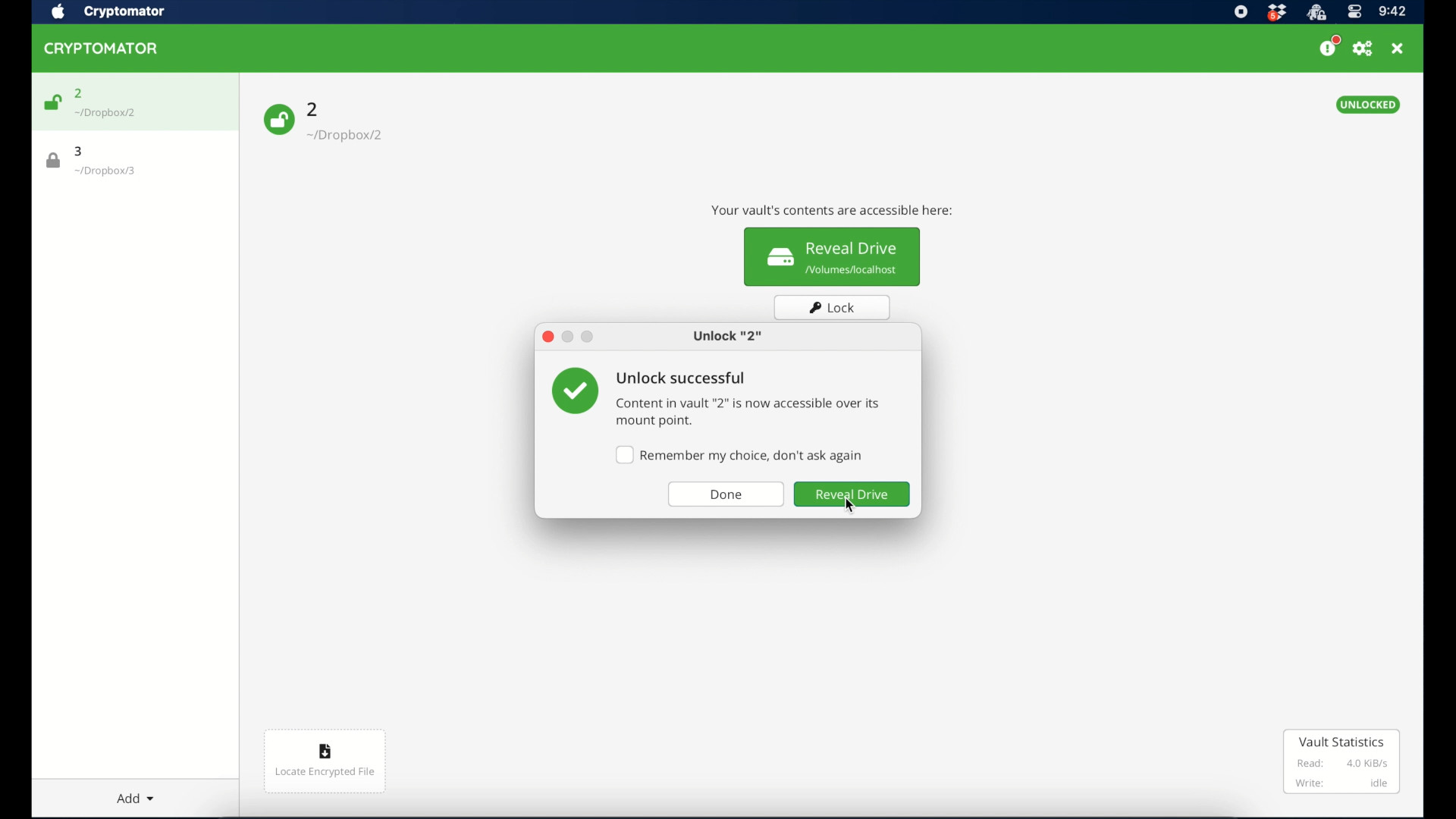  Describe the element at coordinates (79, 93) in the screenshot. I see `2` at that location.